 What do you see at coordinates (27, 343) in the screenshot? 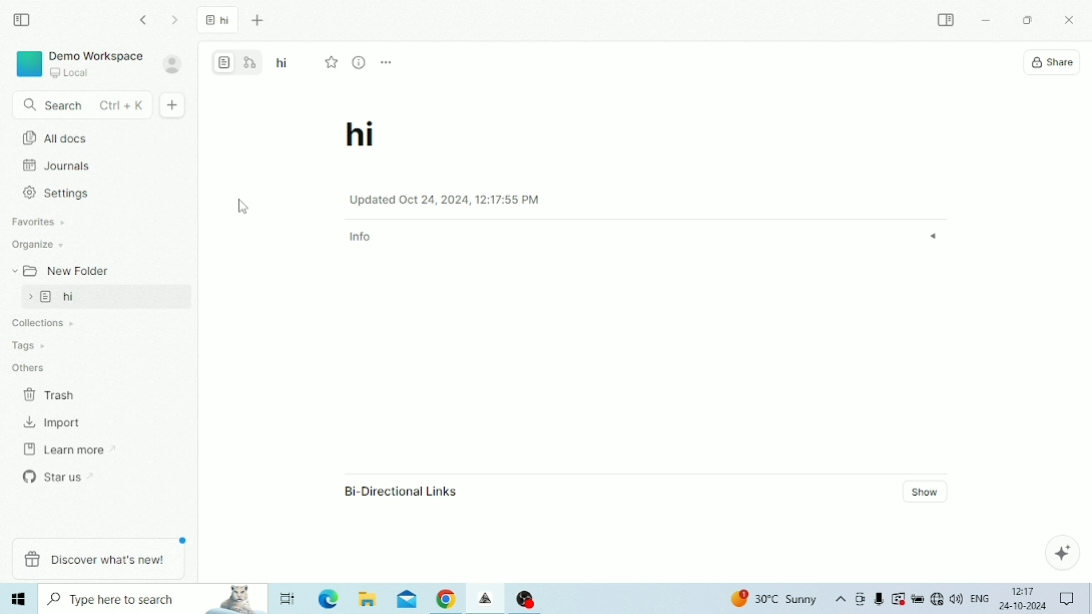
I see `Tags` at bounding box center [27, 343].